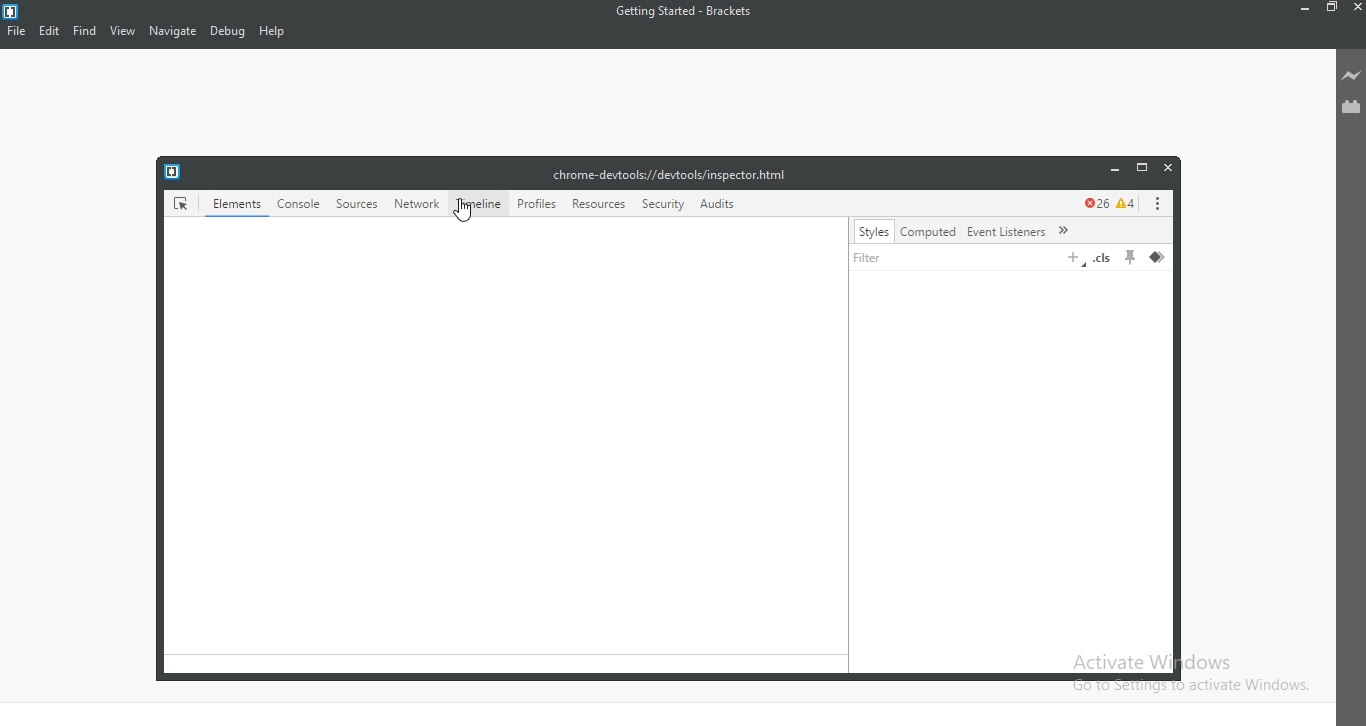 Image resolution: width=1366 pixels, height=726 pixels. Describe the element at coordinates (874, 231) in the screenshot. I see `styles` at that location.